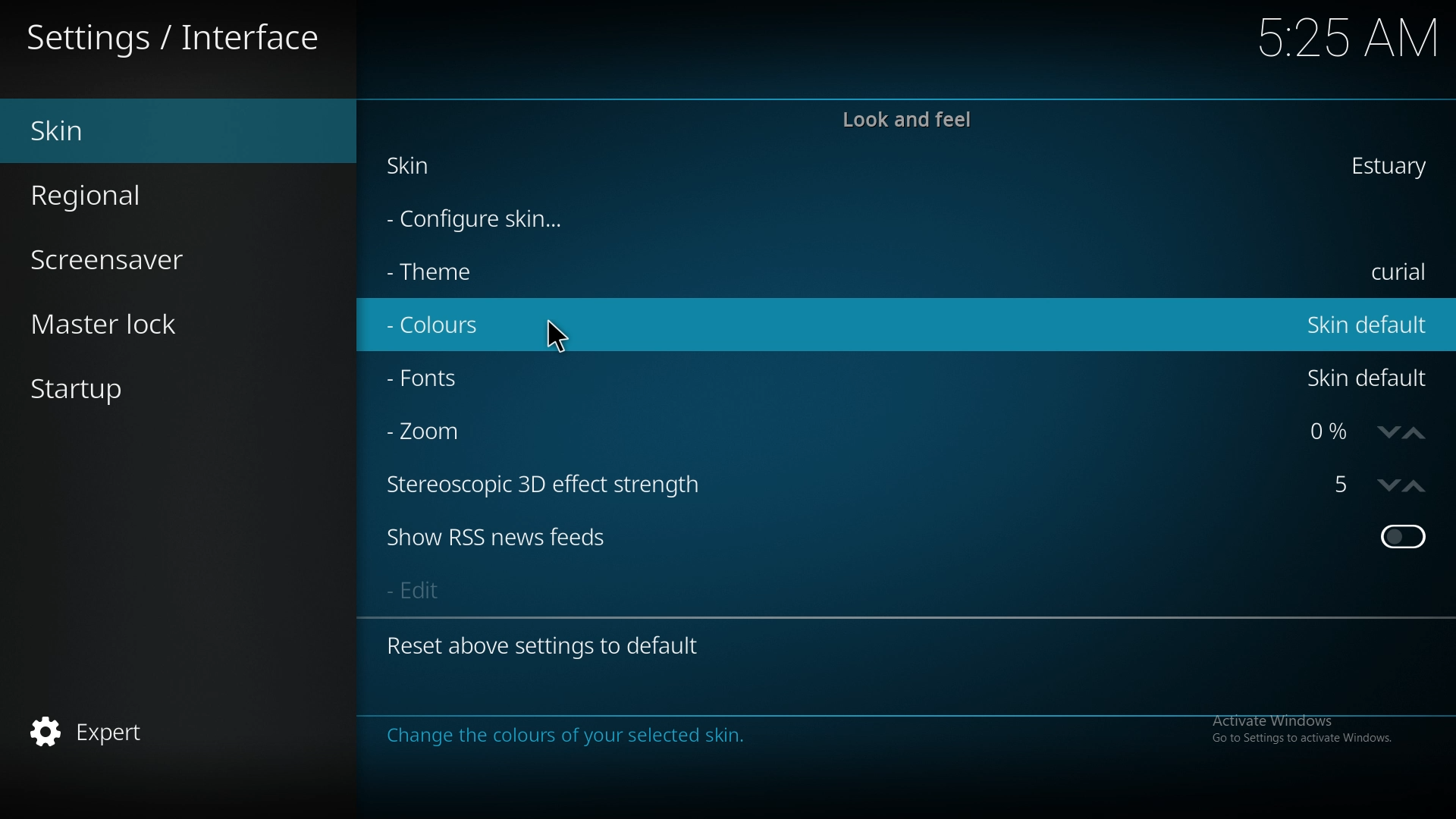 Image resolution: width=1456 pixels, height=819 pixels. I want to click on skin, so click(128, 133).